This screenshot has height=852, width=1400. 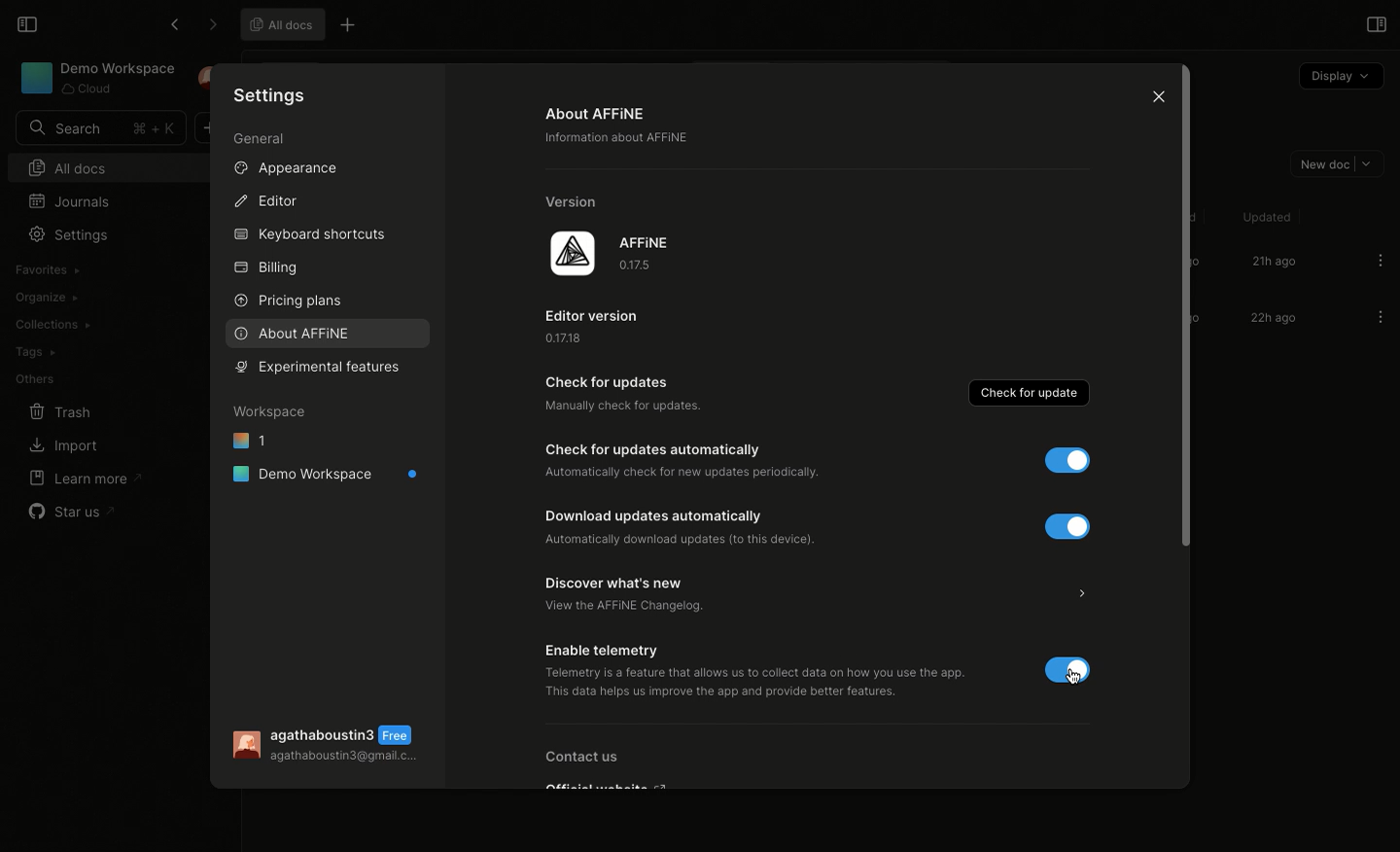 I want to click on Create workspace, so click(x=95, y=296).